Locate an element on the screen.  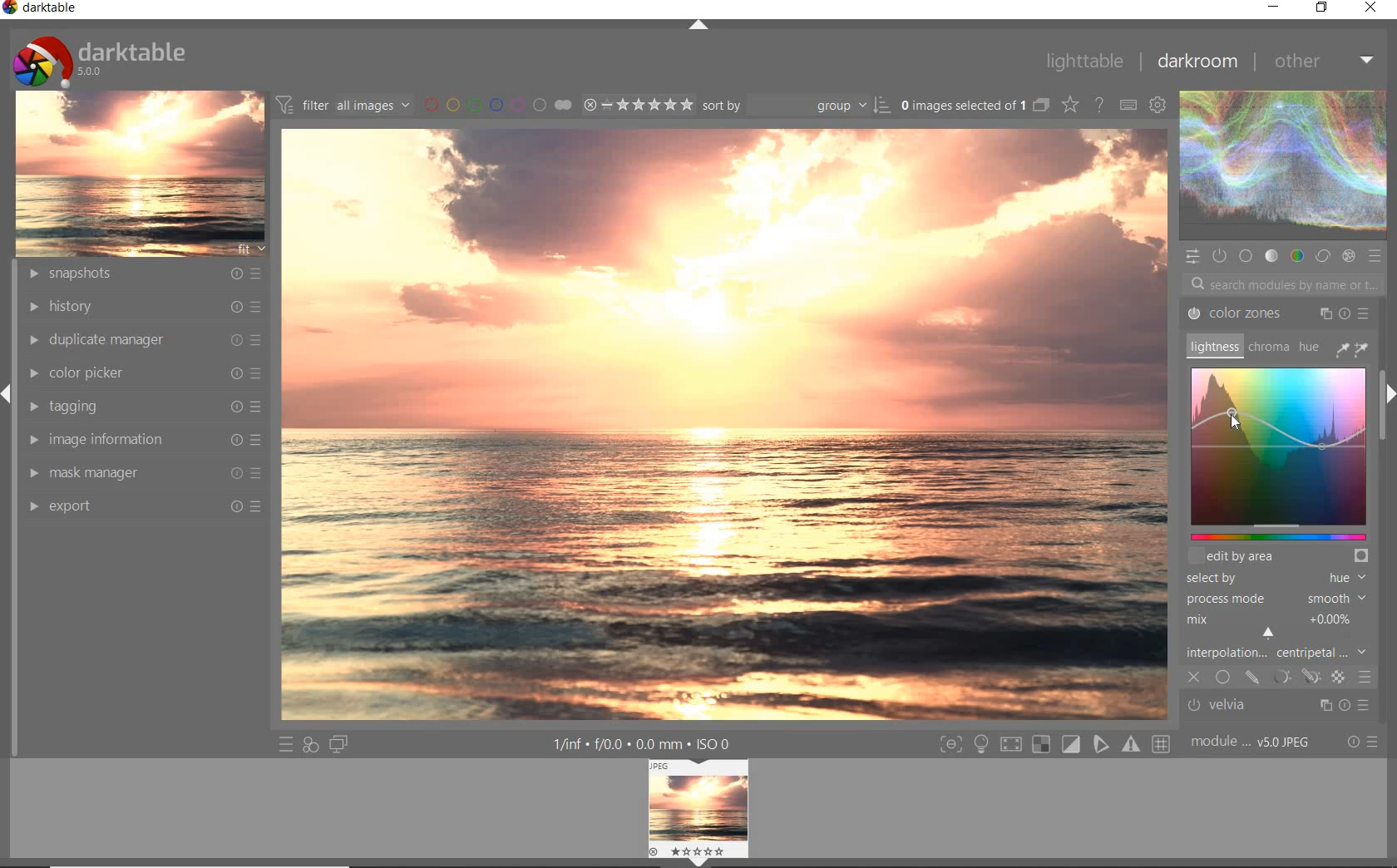
FITER BY COLOR LABEL is located at coordinates (496, 104).